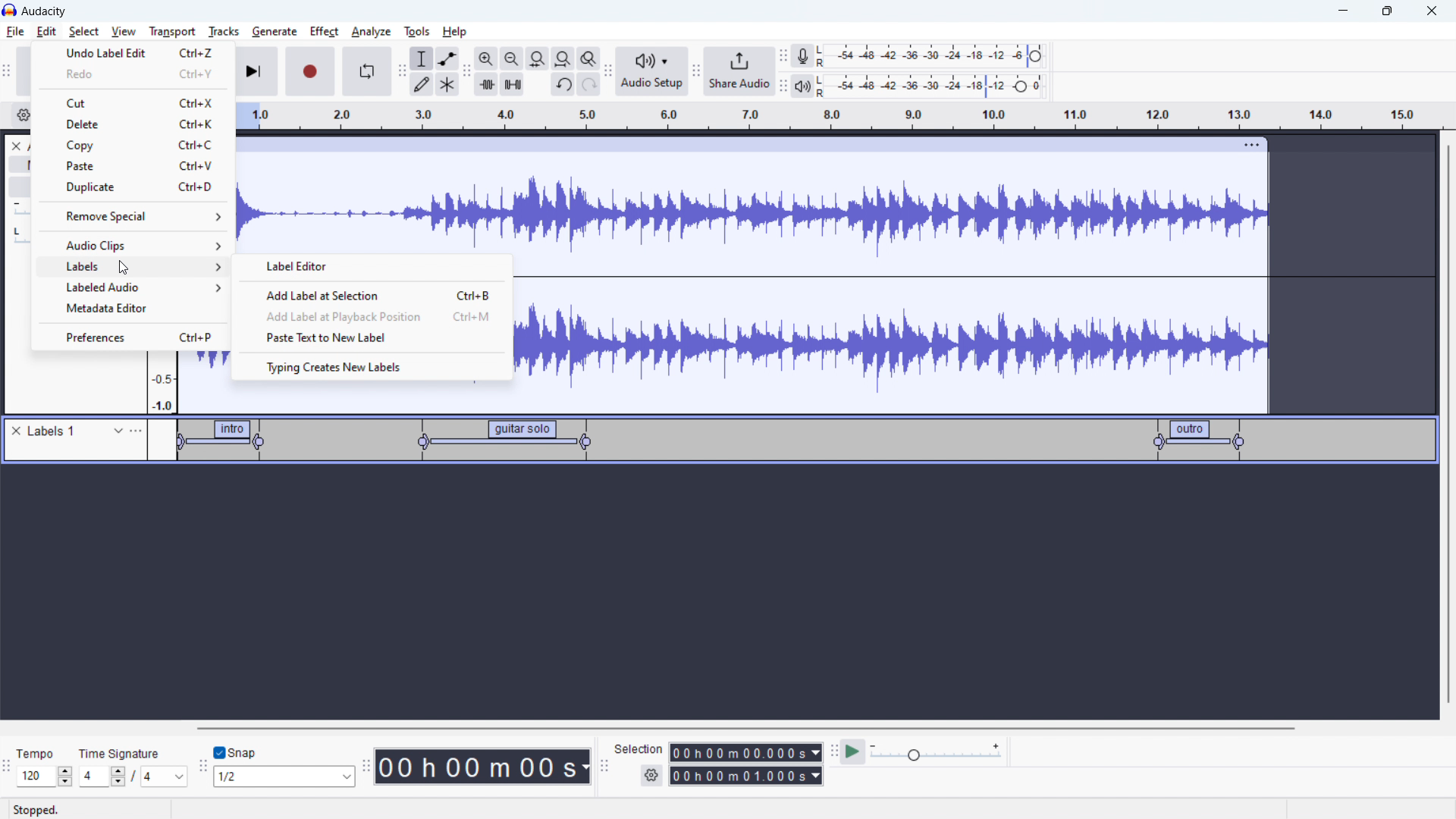 The height and width of the screenshot is (819, 1456). I want to click on amplitude, so click(162, 384).